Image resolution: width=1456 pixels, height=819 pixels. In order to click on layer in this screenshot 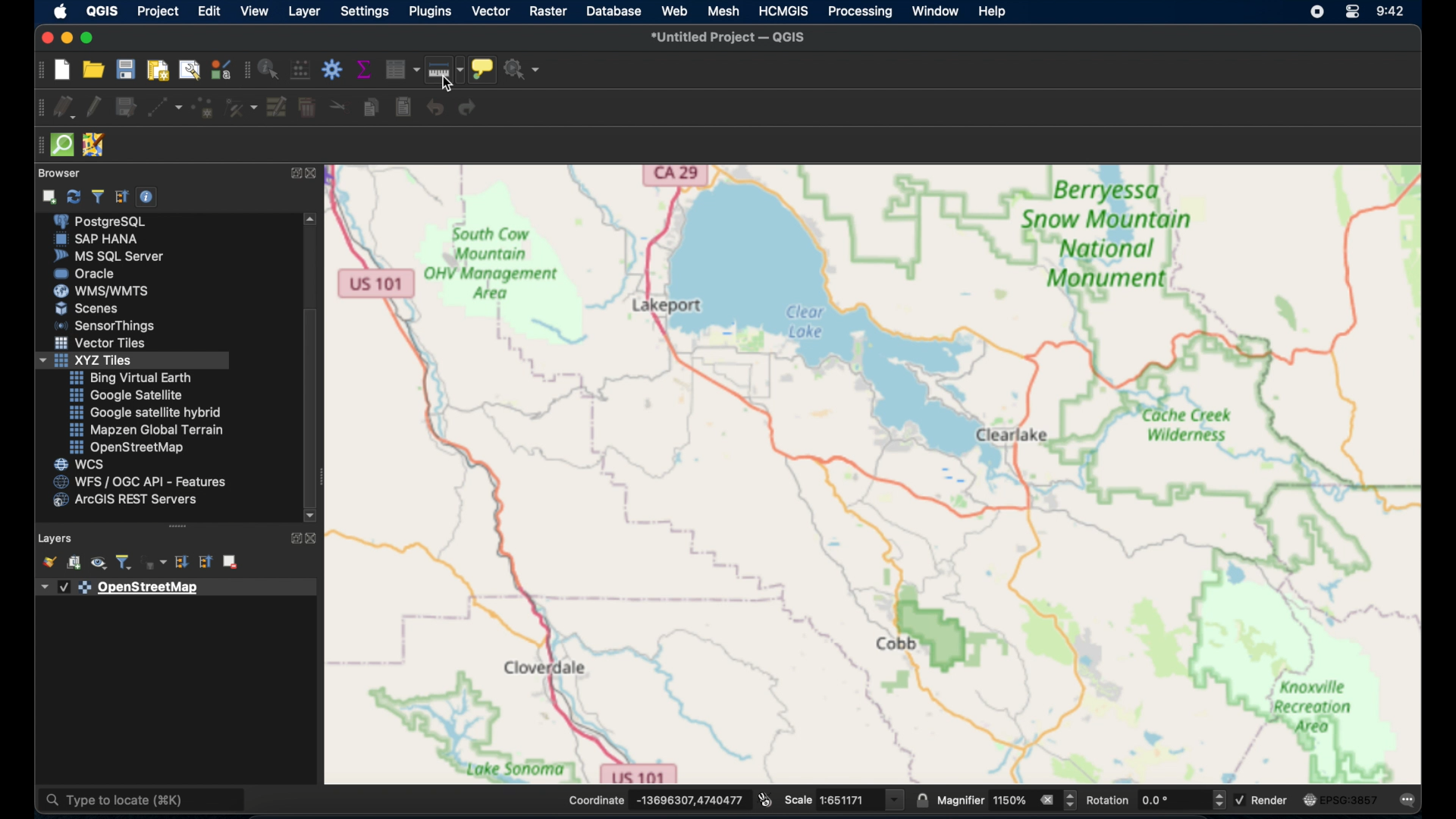, I will do `click(304, 11)`.